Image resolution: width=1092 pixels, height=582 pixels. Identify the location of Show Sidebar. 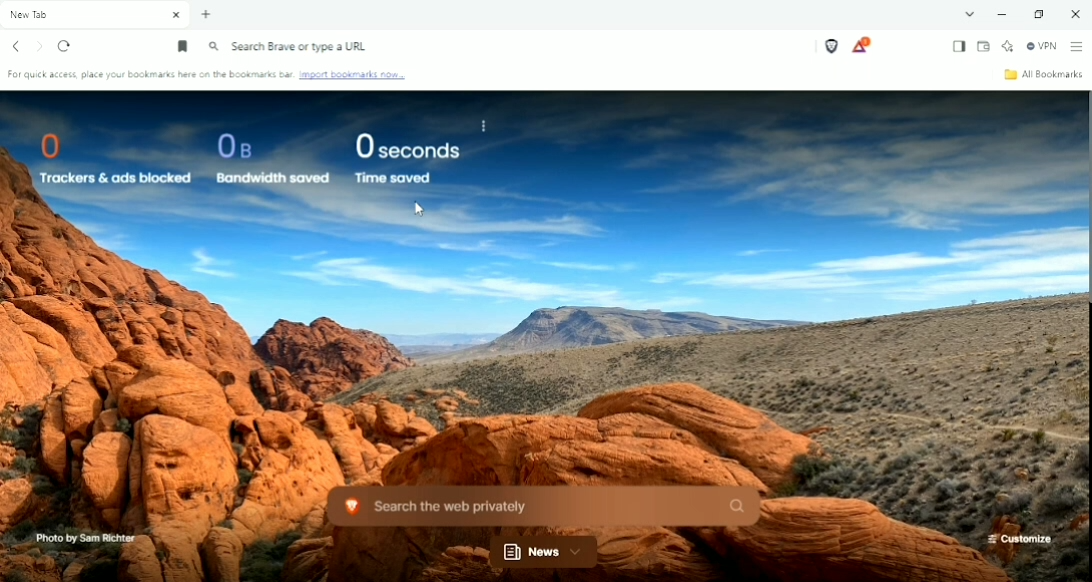
(957, 46).